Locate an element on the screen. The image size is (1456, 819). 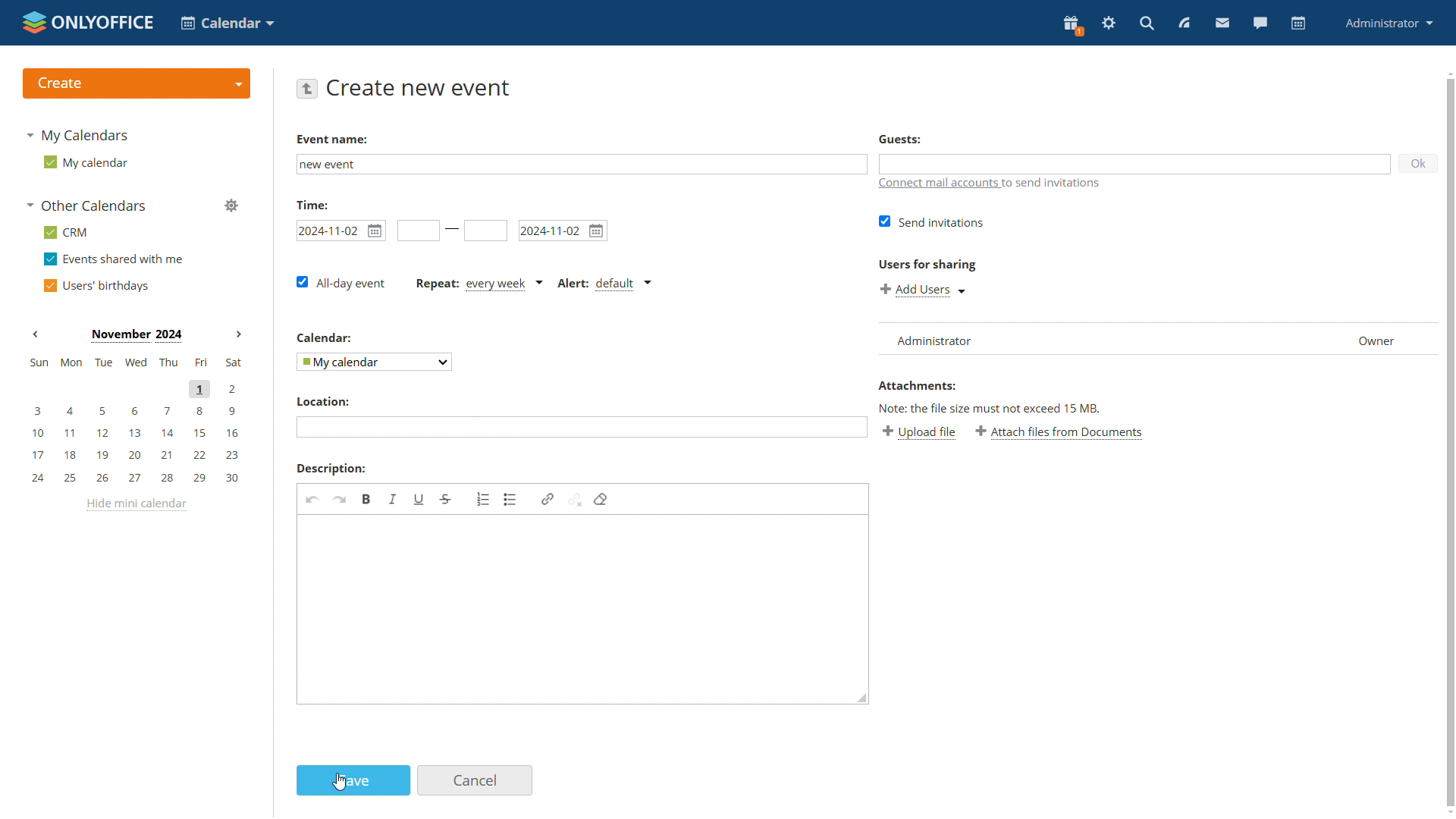
mini calendar is located at coordinates (134, 422).